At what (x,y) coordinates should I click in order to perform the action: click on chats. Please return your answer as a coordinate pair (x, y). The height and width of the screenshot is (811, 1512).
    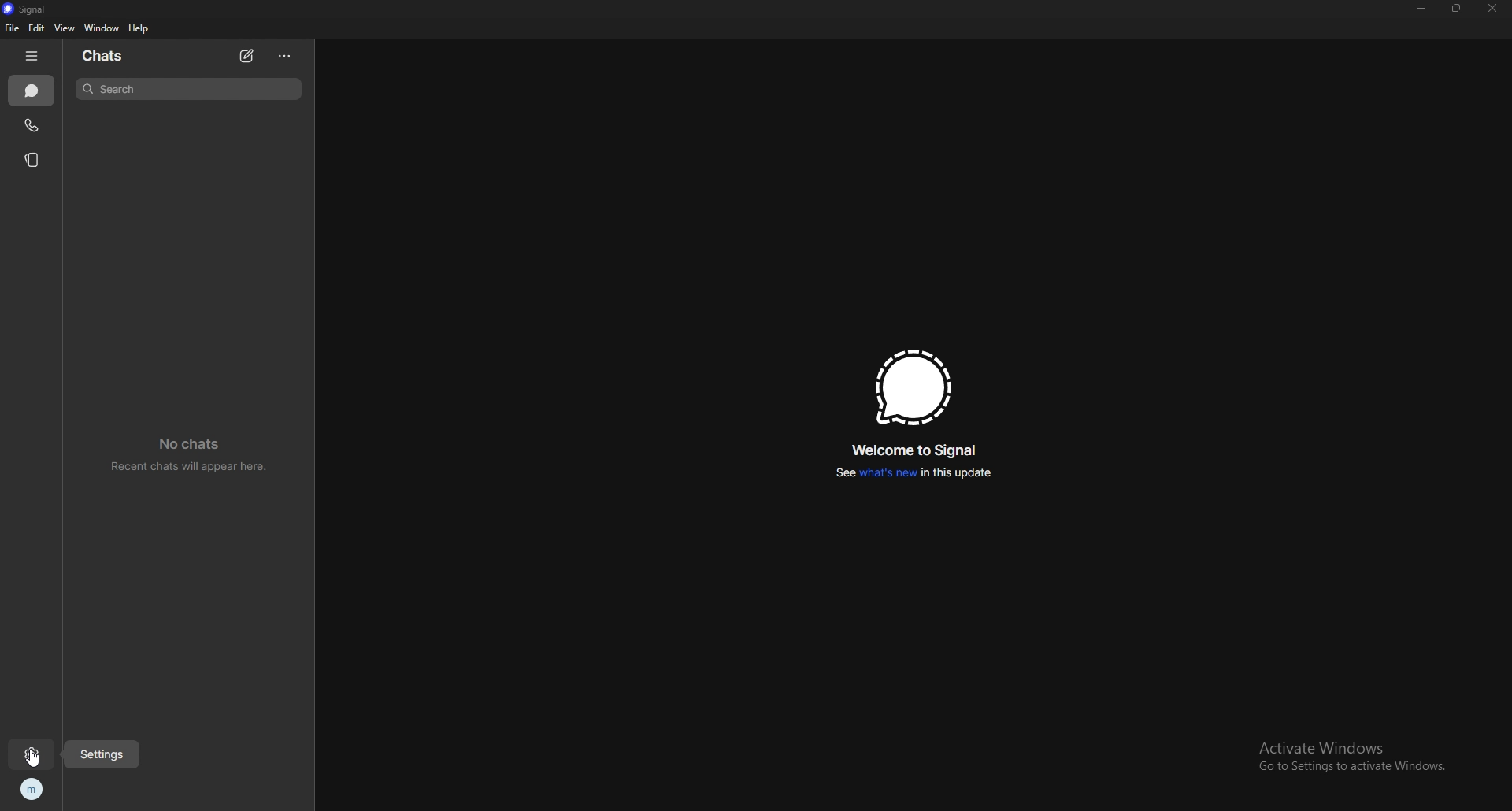
    Looking at the image, I should click on (106, 56).